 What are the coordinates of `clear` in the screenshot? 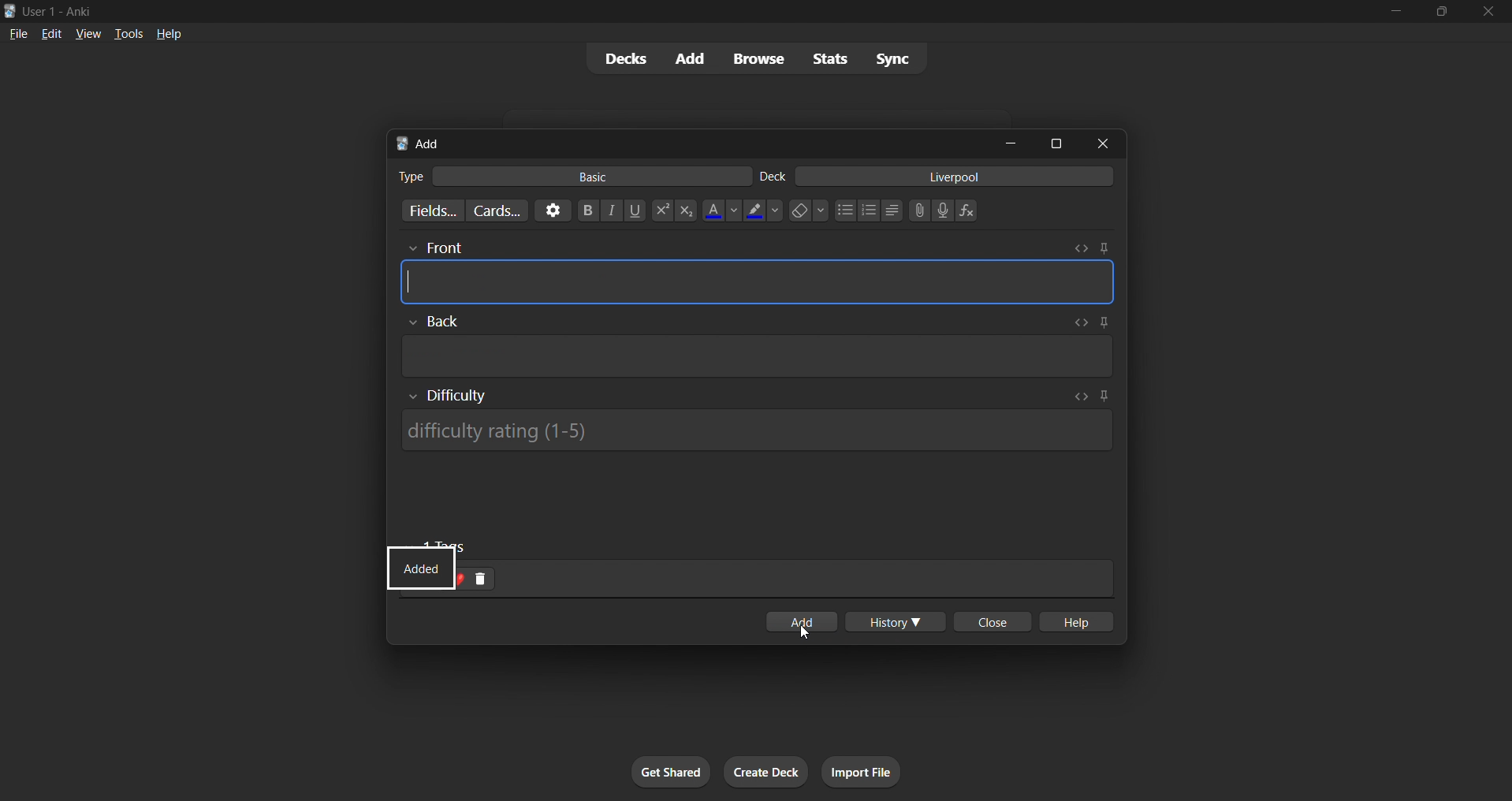 It's located at (808, 210).